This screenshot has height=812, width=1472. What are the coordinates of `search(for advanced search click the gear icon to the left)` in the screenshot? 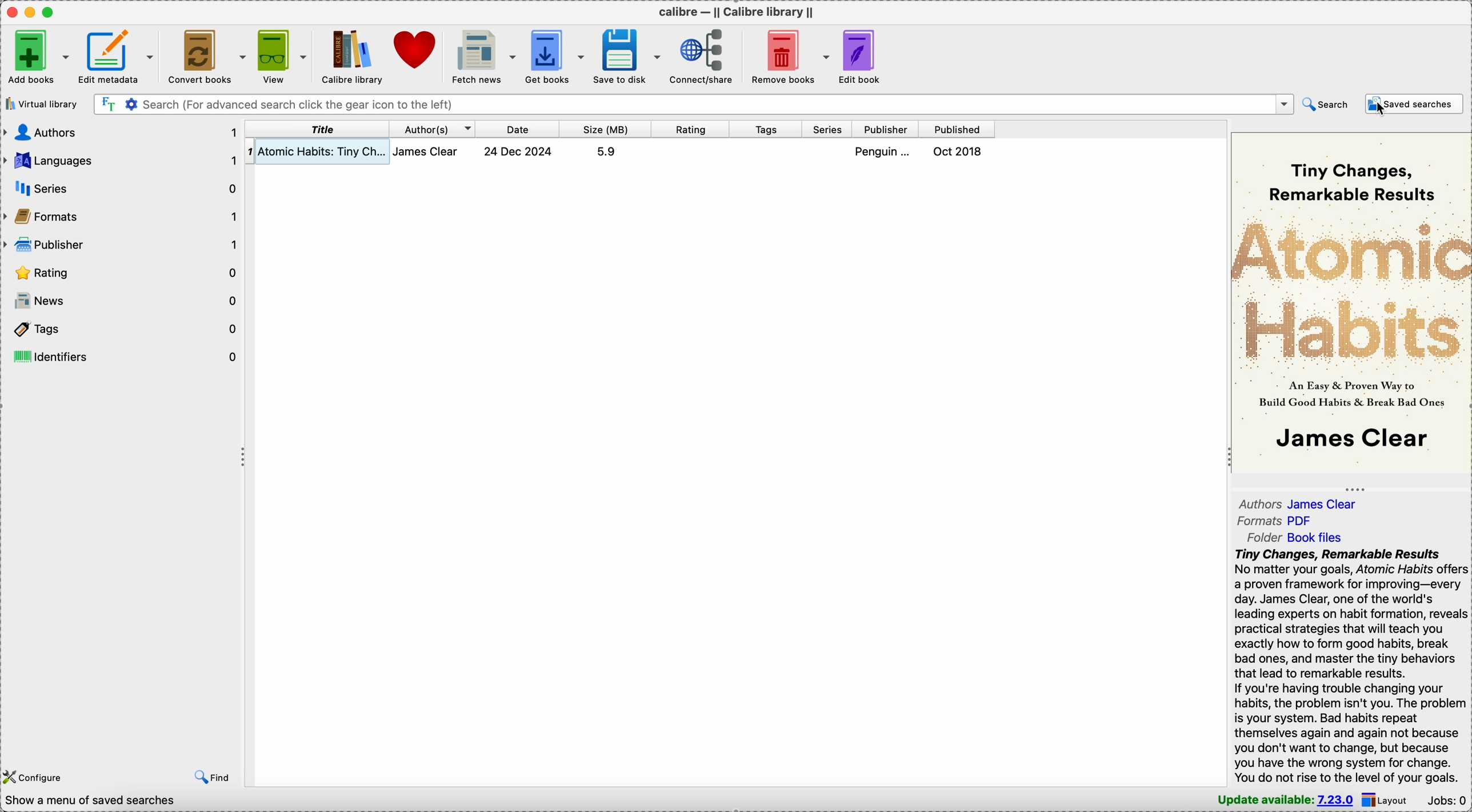 It's located at (693, 103).